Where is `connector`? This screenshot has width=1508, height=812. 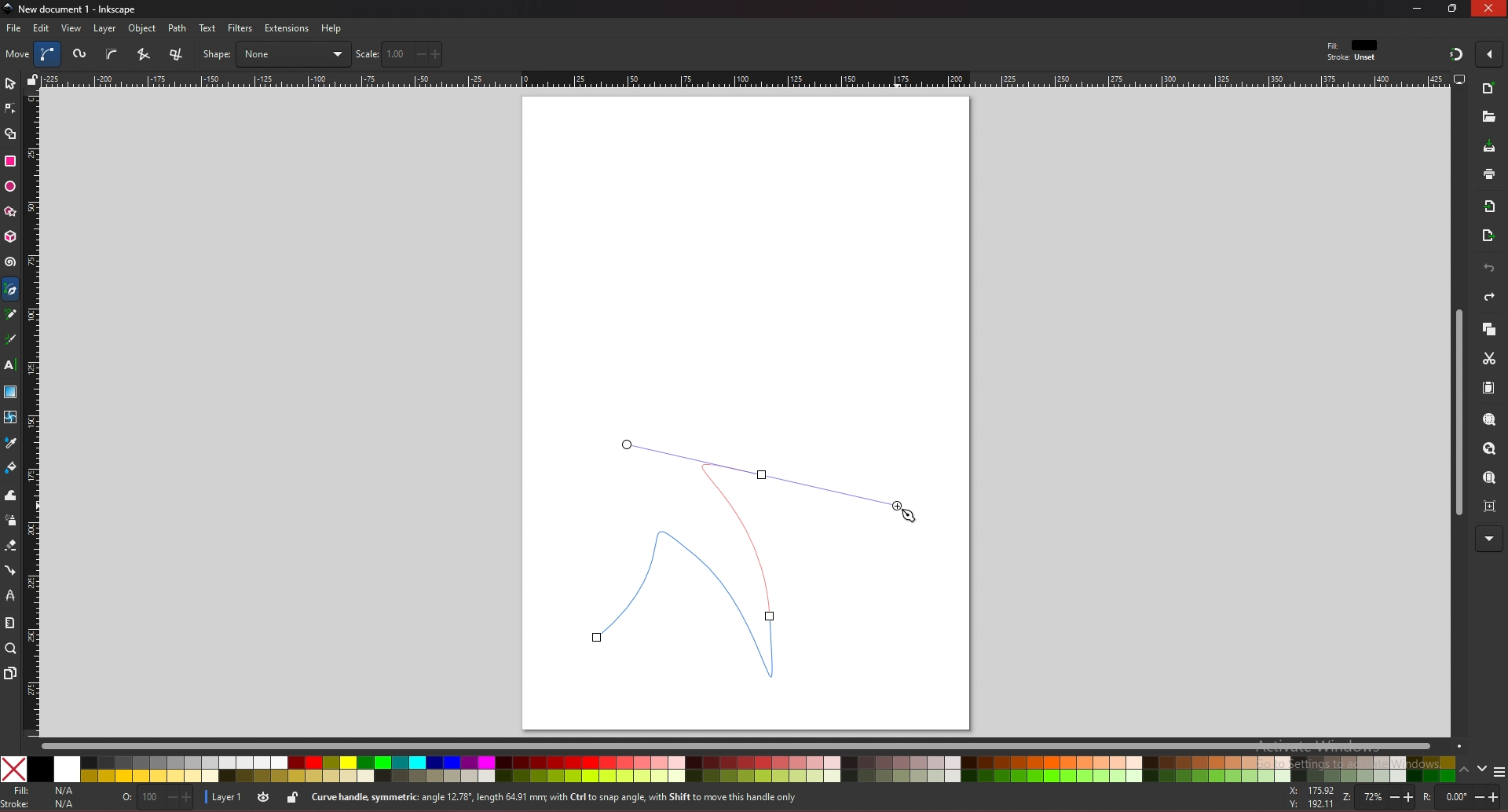 connector is located at coordinates (11, 571).